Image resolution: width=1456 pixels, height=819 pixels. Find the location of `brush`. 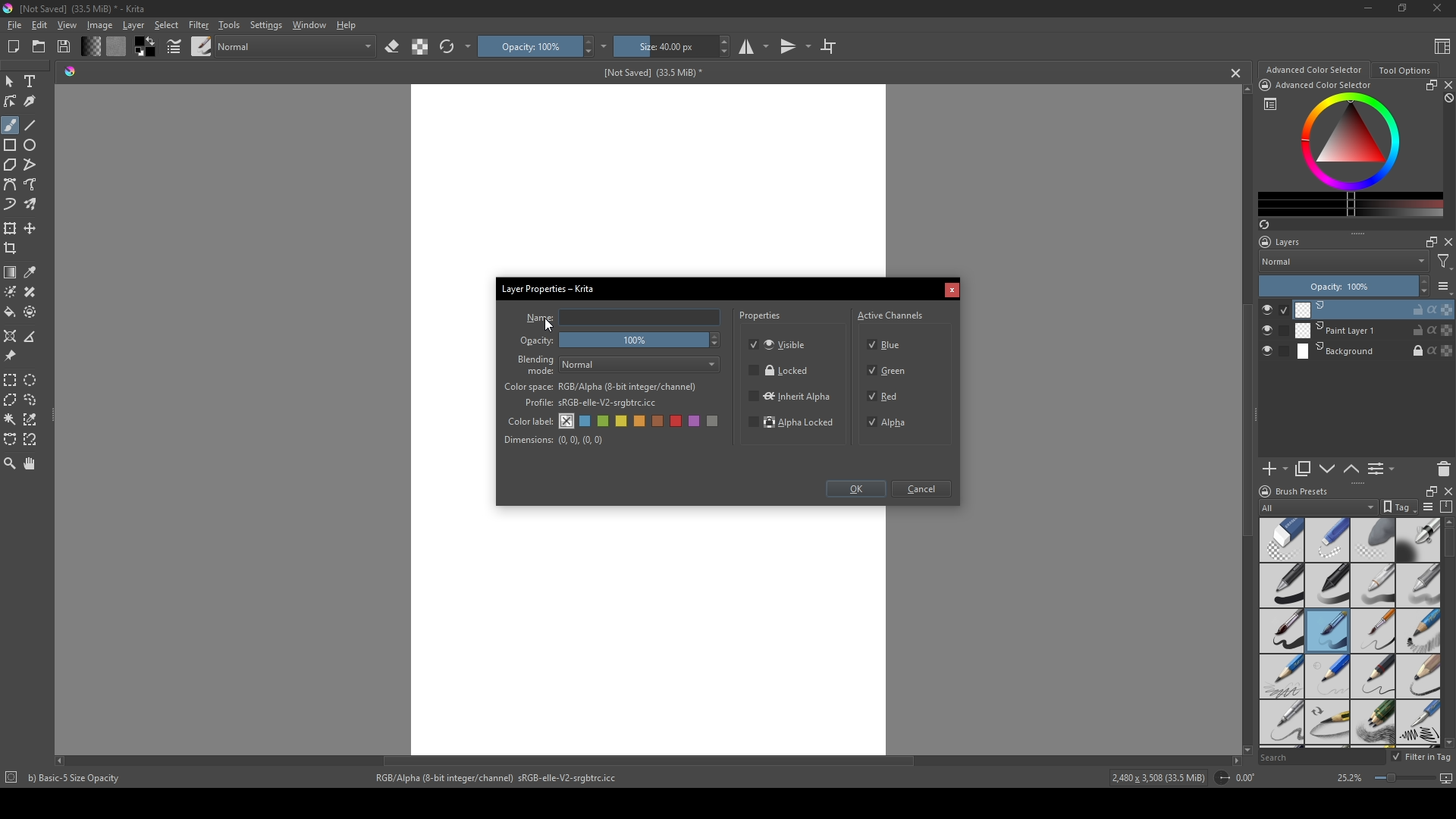

brush is located at coordinates (10, 125).